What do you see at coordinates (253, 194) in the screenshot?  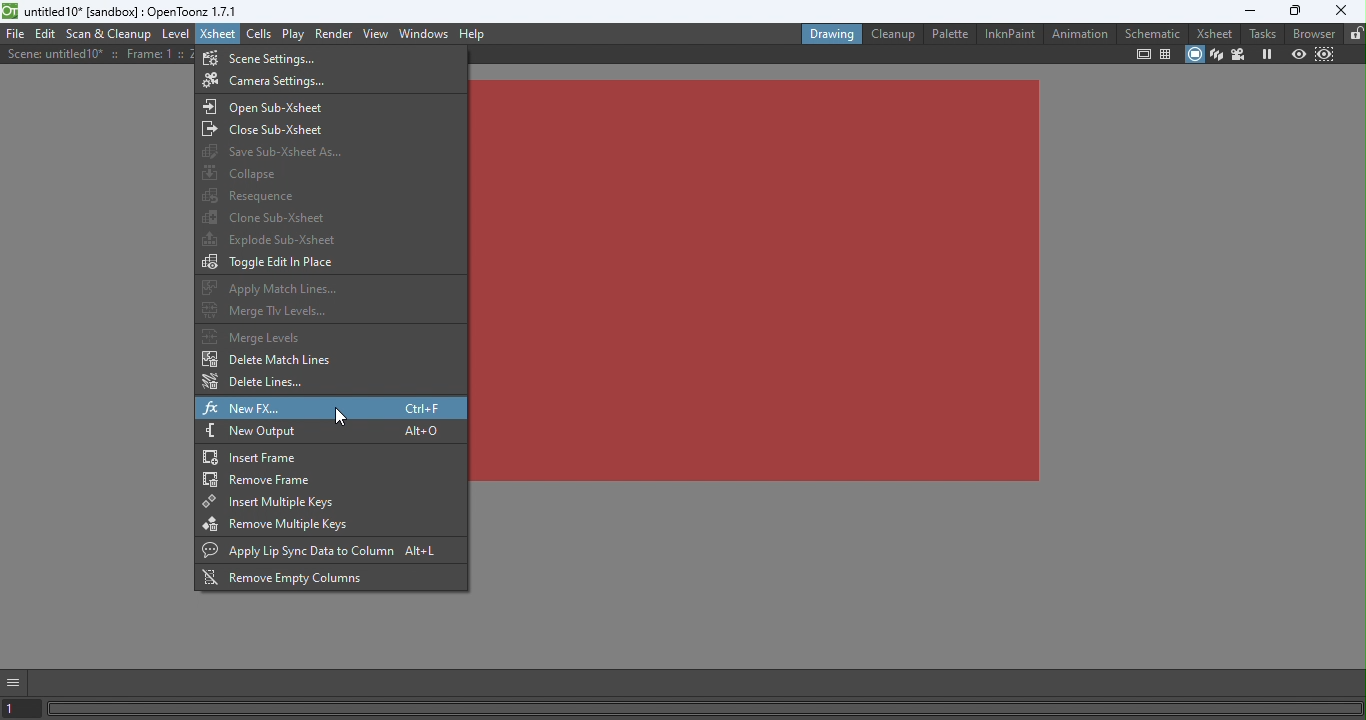 I see `Resequence` at bounding box center [253, 194].